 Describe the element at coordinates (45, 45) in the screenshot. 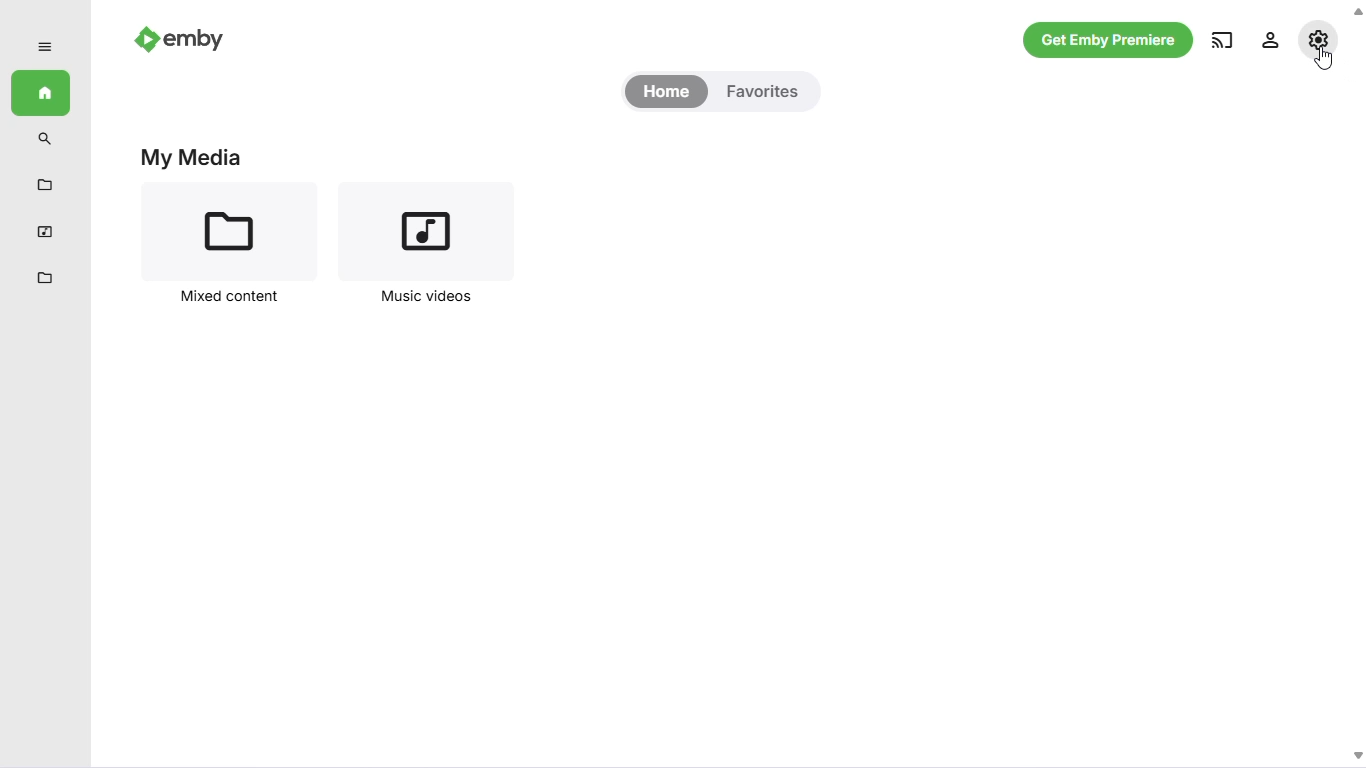

I see `expand` at that location.